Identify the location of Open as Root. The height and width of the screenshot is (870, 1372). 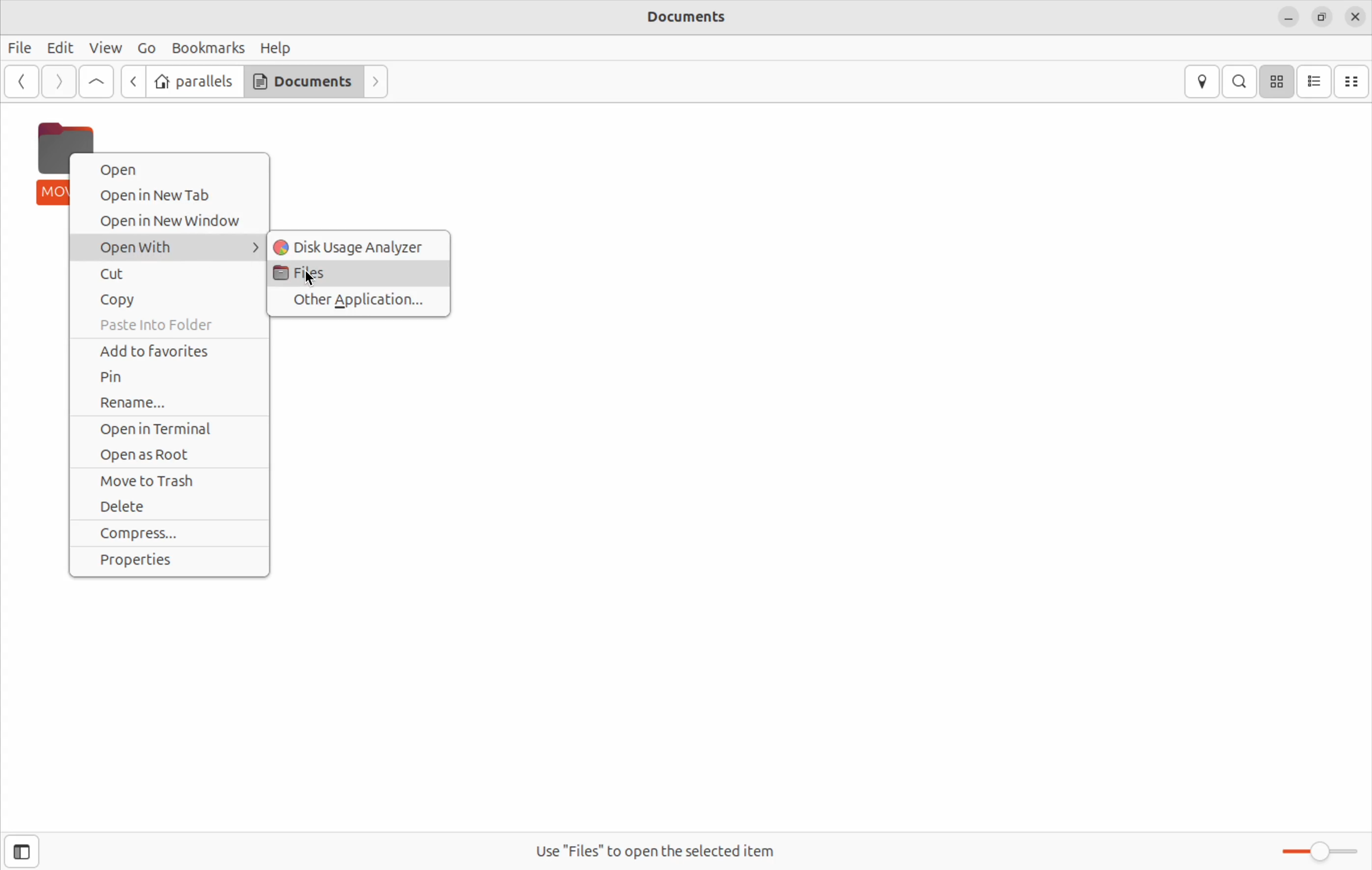
(169, 455).